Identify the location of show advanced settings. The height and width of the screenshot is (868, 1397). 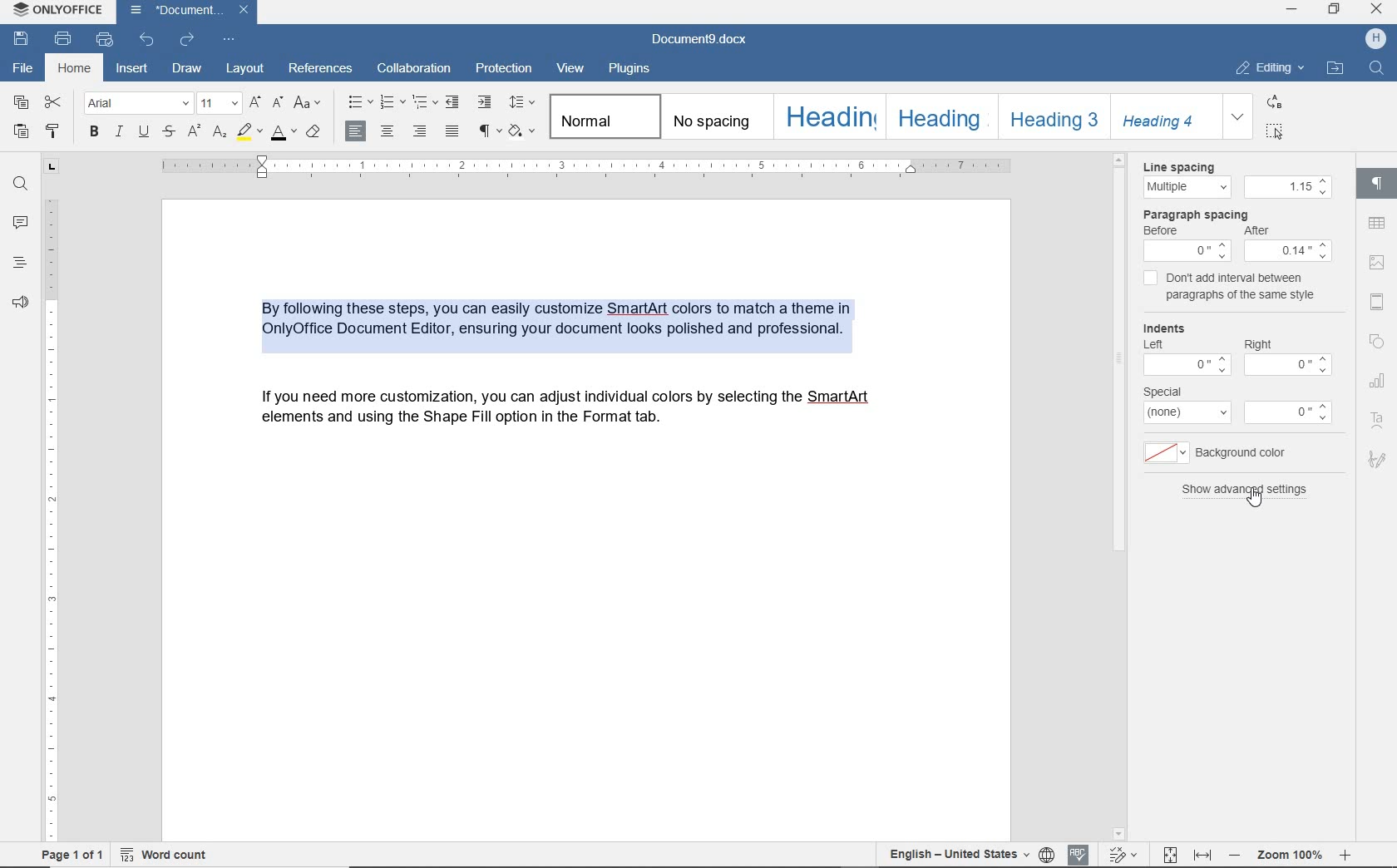
(1246, 490).